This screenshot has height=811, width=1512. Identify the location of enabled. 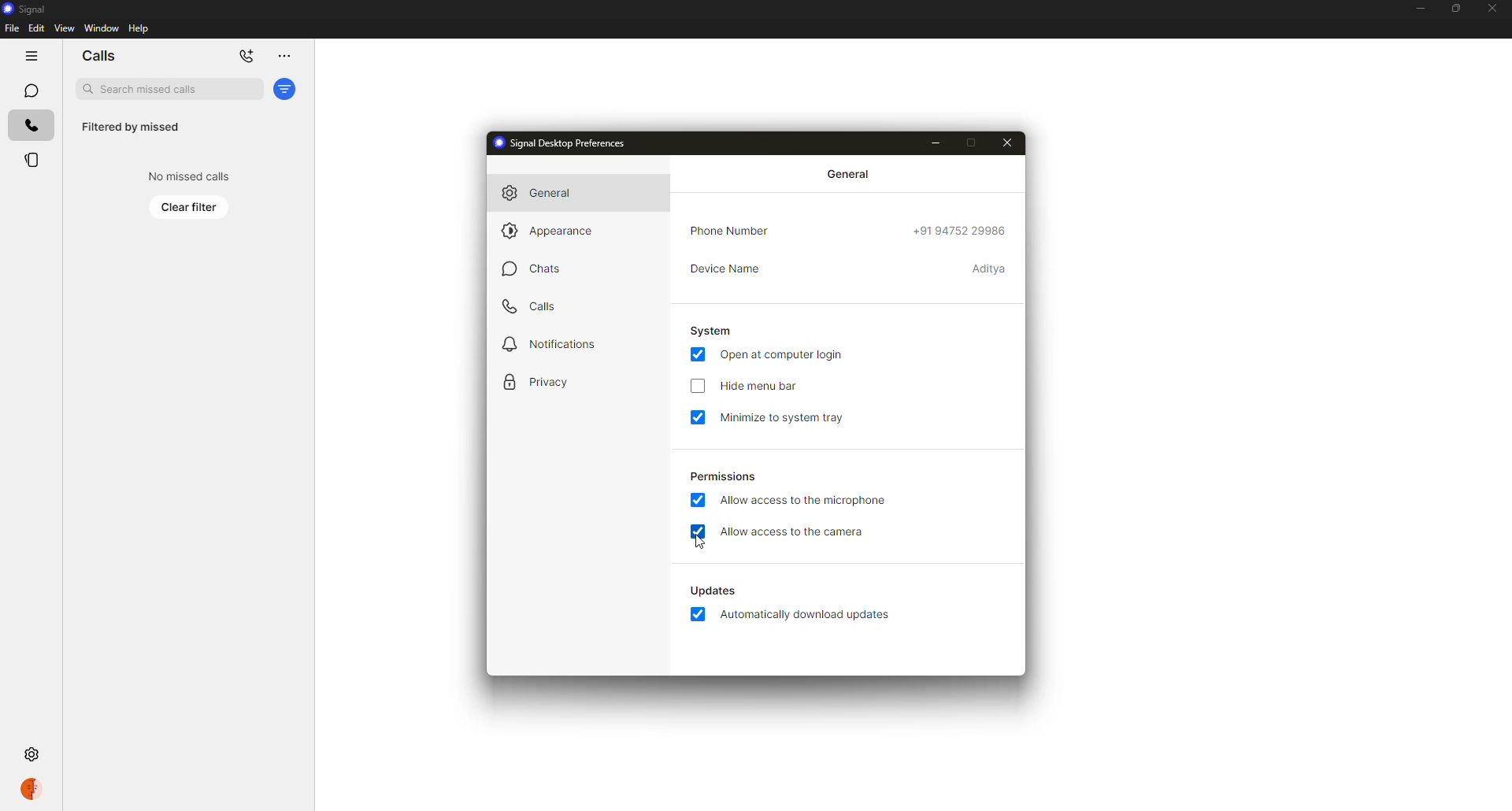
(699, 417).